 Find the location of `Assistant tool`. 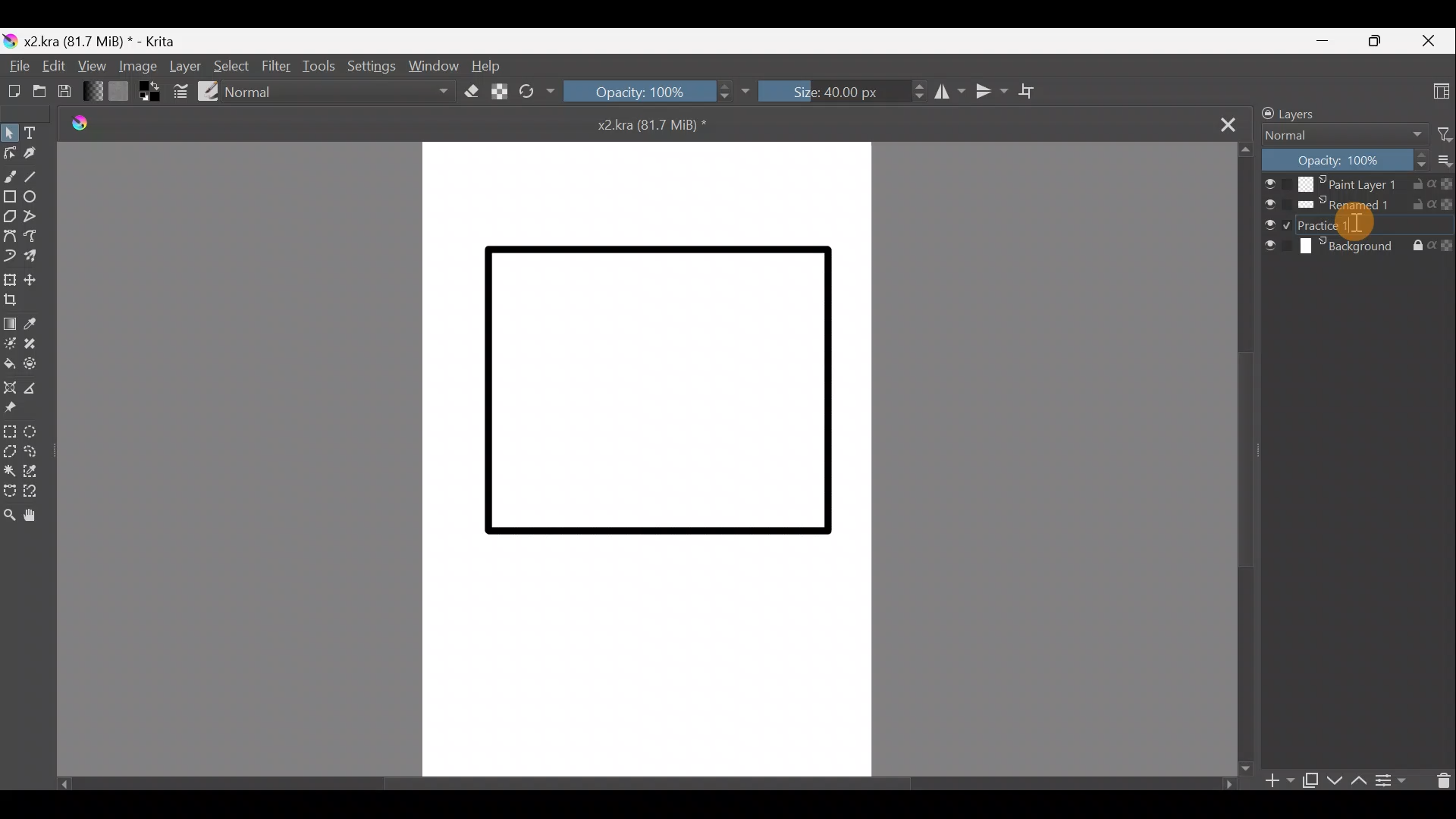

Assistant tool is located at coordinates (11, 390).